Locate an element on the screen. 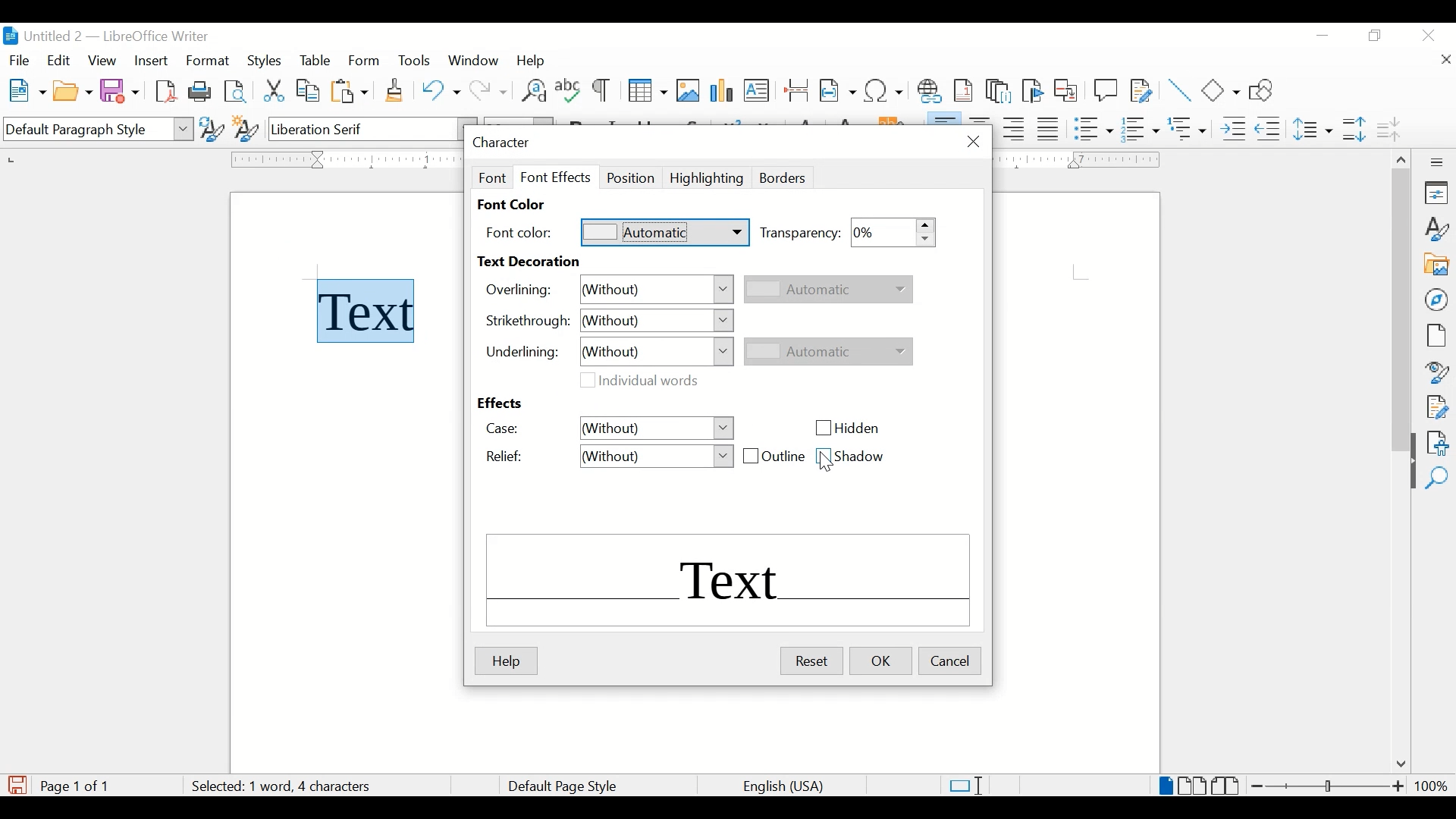 This screenshot has height=819, width=1456. automatic dropdown inactive is located at coordinates (828, 289).